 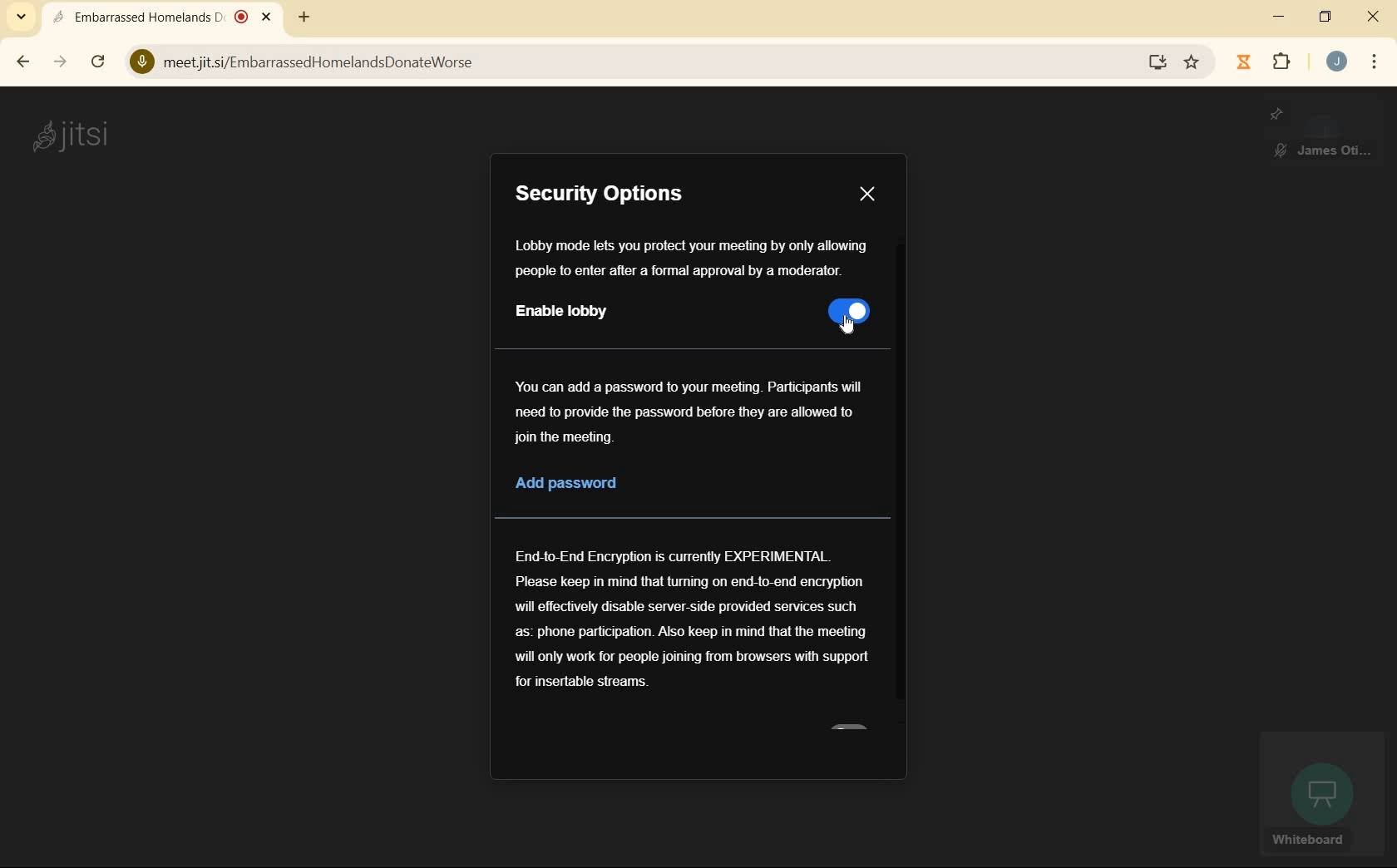 What do you see at coordinates (99, 62) in the screenshot?
I see `reload` at bounding box center [99, 62].